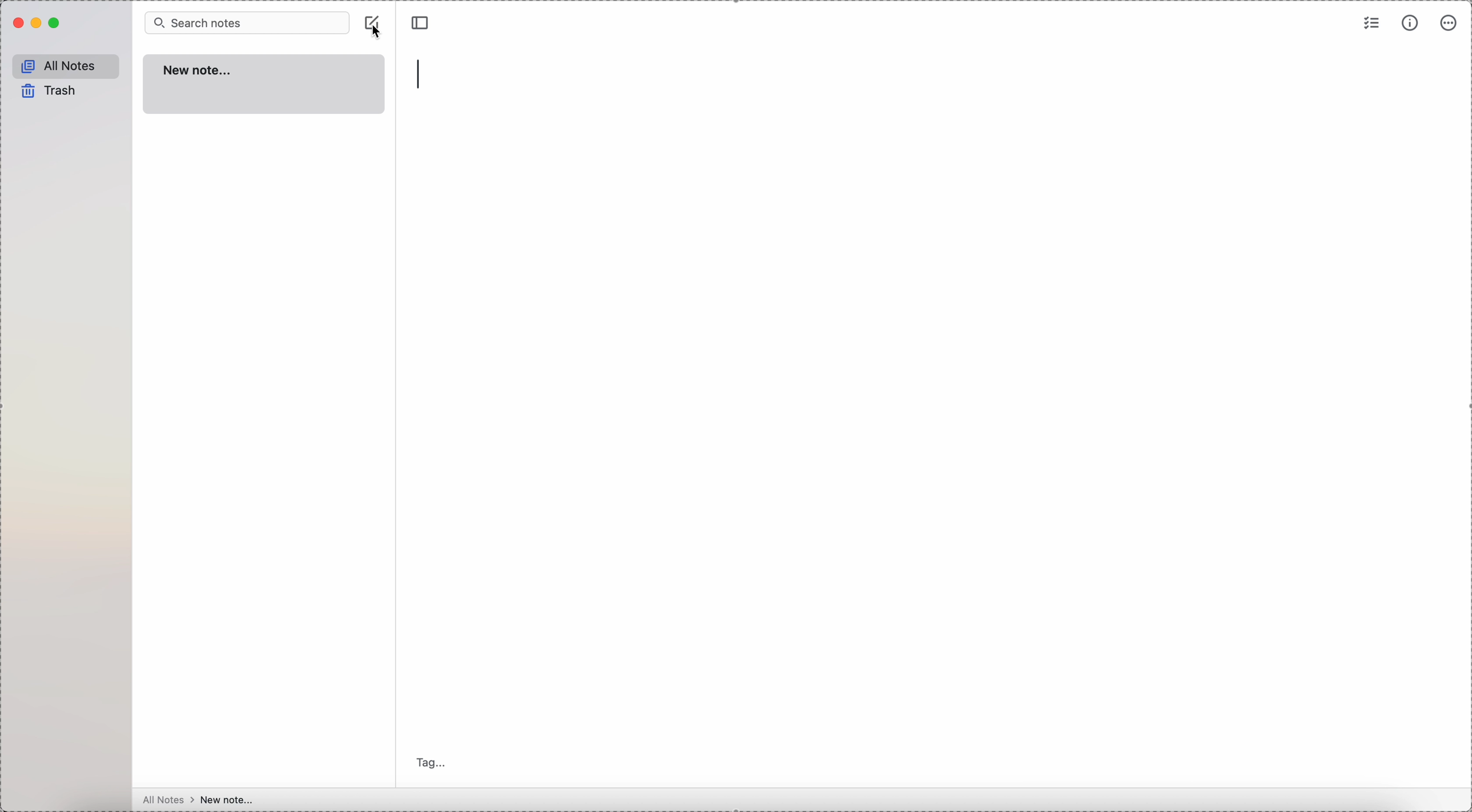 Image resolution: width=1472 pixels, height=812 pixels. What do you see at coordinates (433, 762) in the screenshot?
I see `tag` at bounding box center [433, 762].